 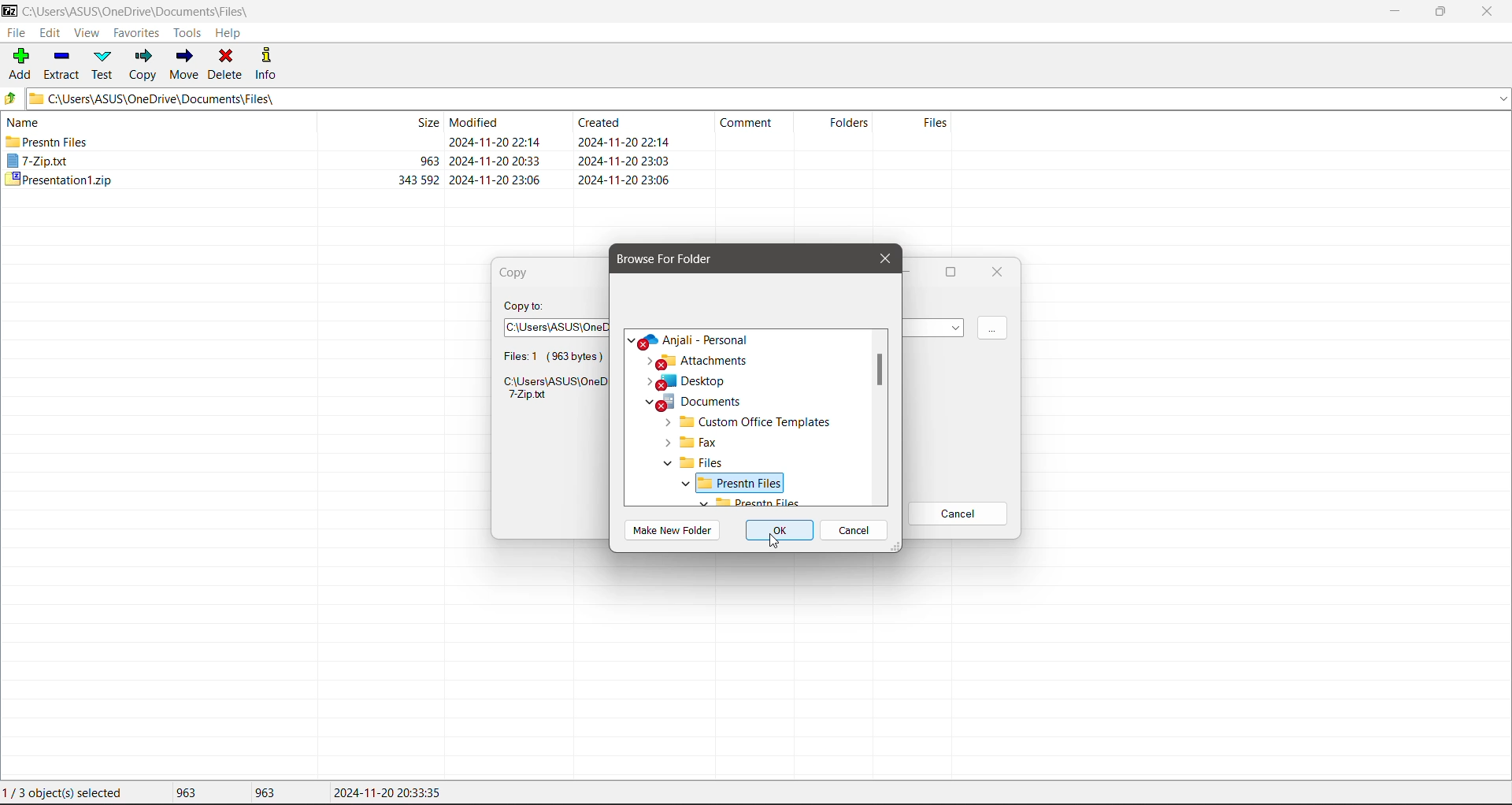 I want to click on Fax, so click(x=692, y=444).